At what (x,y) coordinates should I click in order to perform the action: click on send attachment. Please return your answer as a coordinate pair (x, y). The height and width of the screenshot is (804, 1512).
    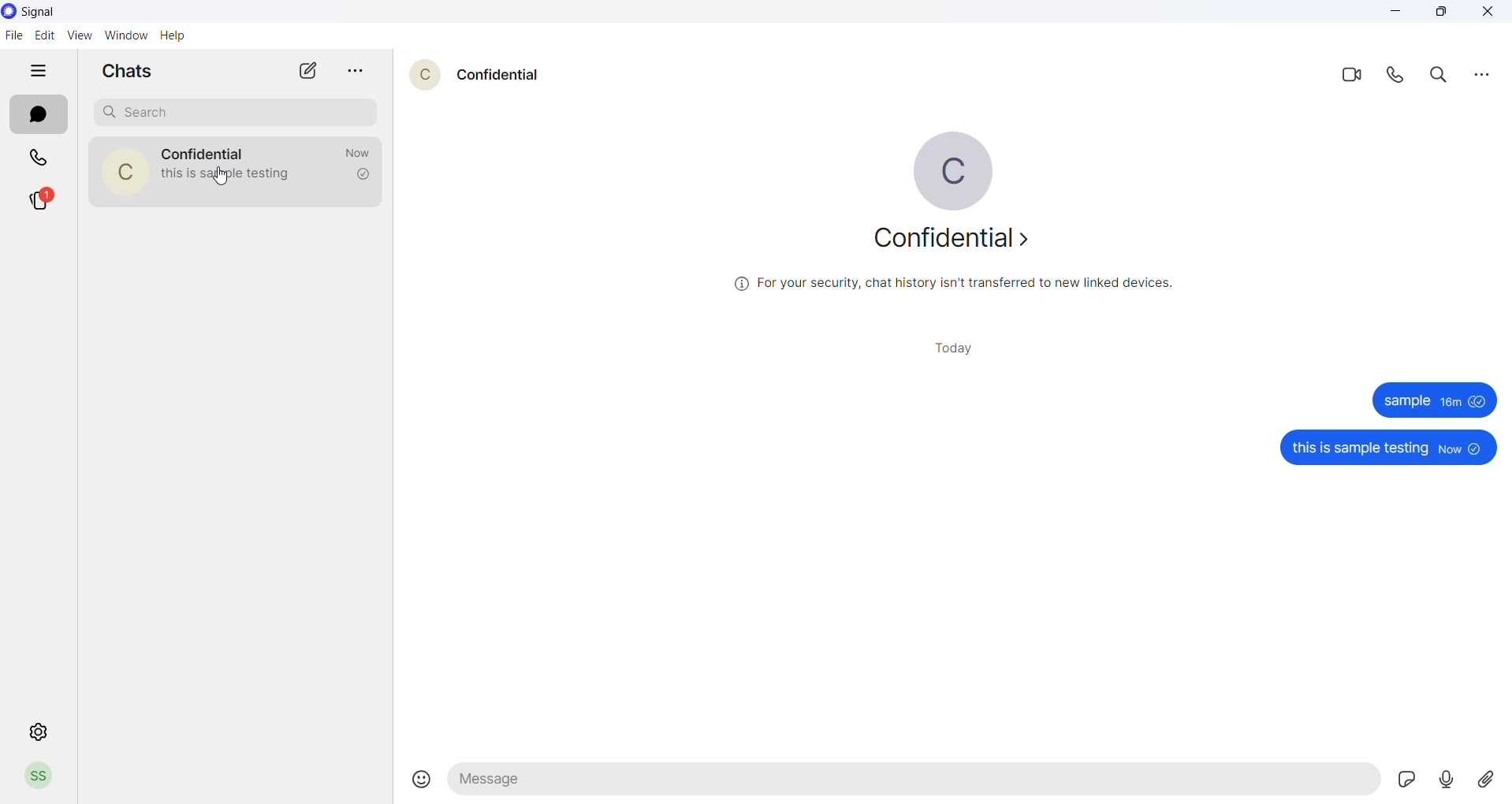
    Looking at the image, I should click on (1491, 780).